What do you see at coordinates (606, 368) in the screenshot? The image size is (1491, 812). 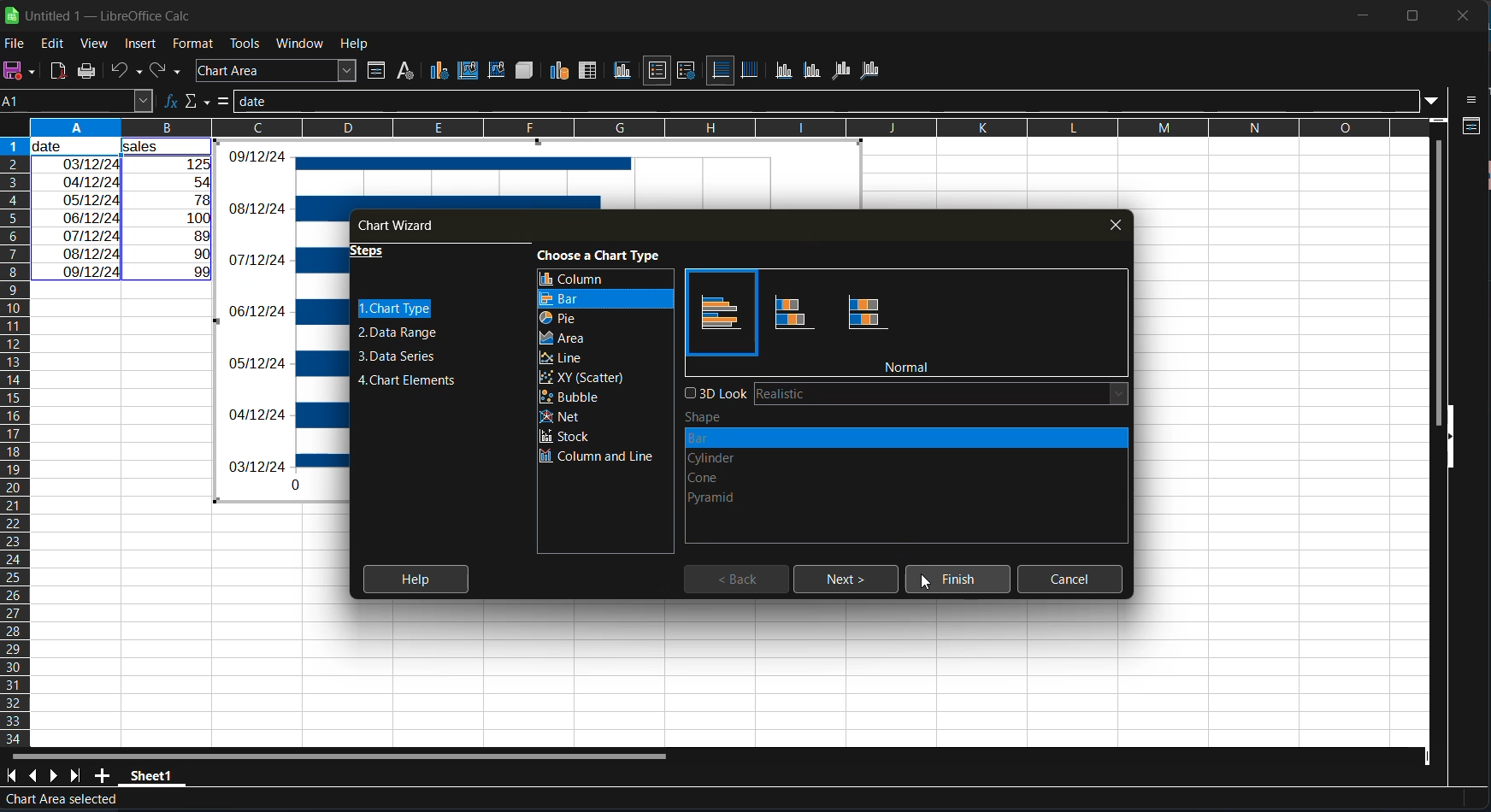 I see `chart types` at bounding box center [606, 368].